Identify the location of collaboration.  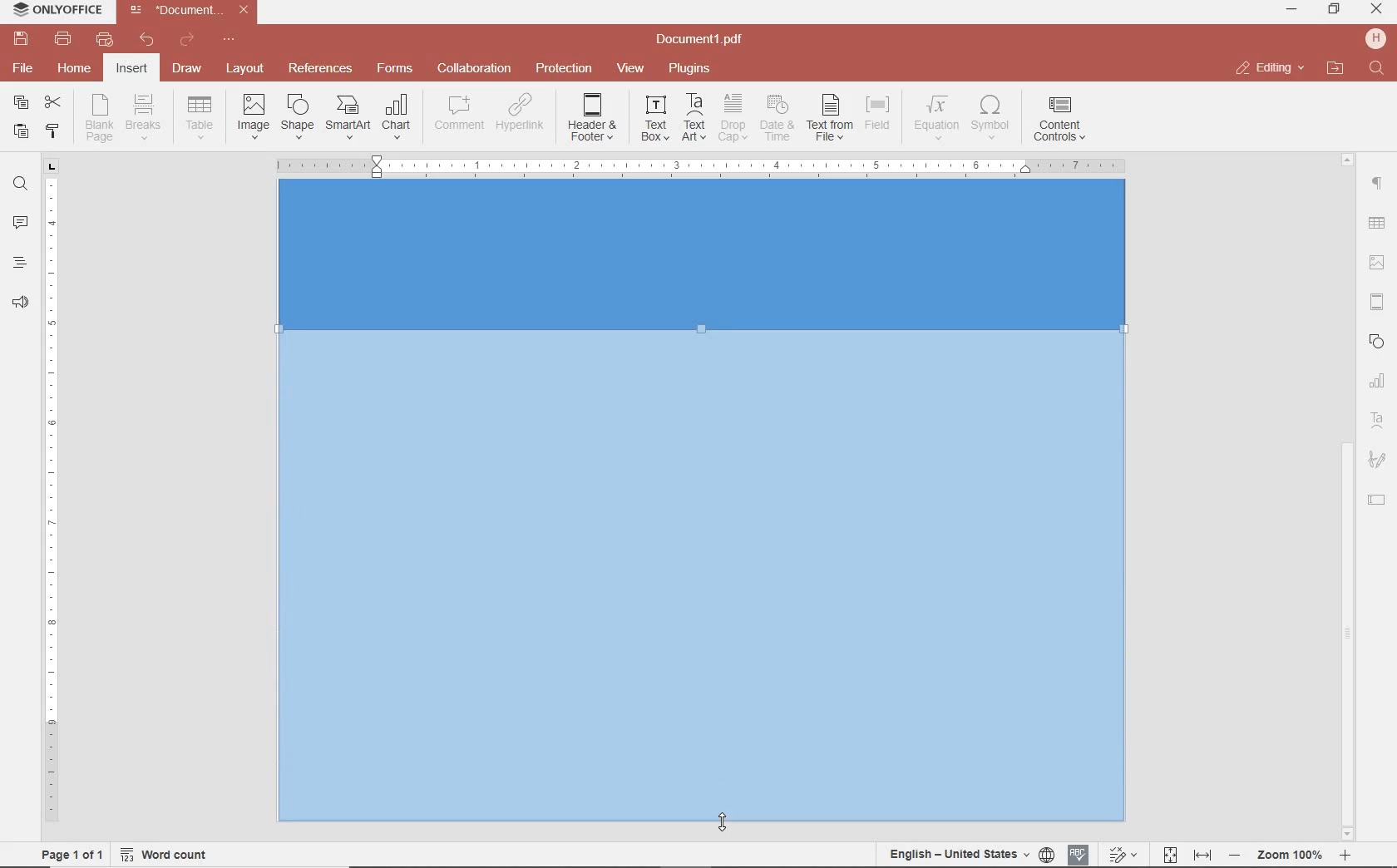
(474, 69).